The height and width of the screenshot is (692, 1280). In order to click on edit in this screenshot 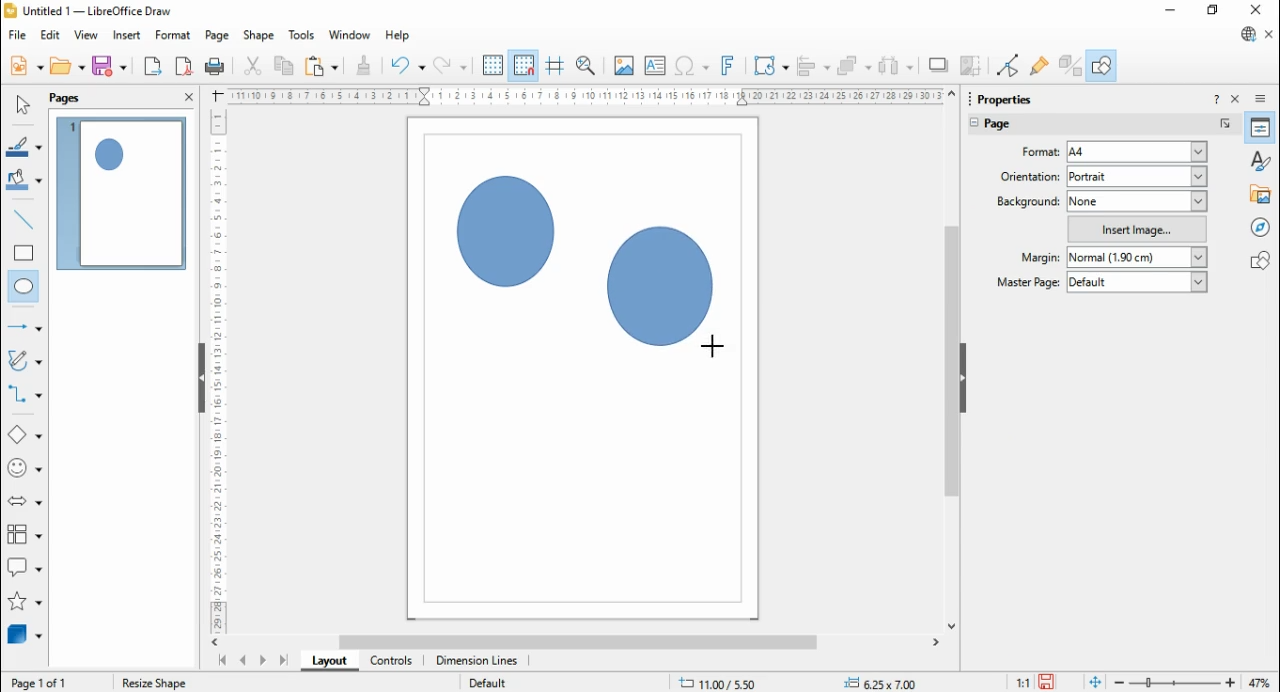, I will do `click(50, 35)`.